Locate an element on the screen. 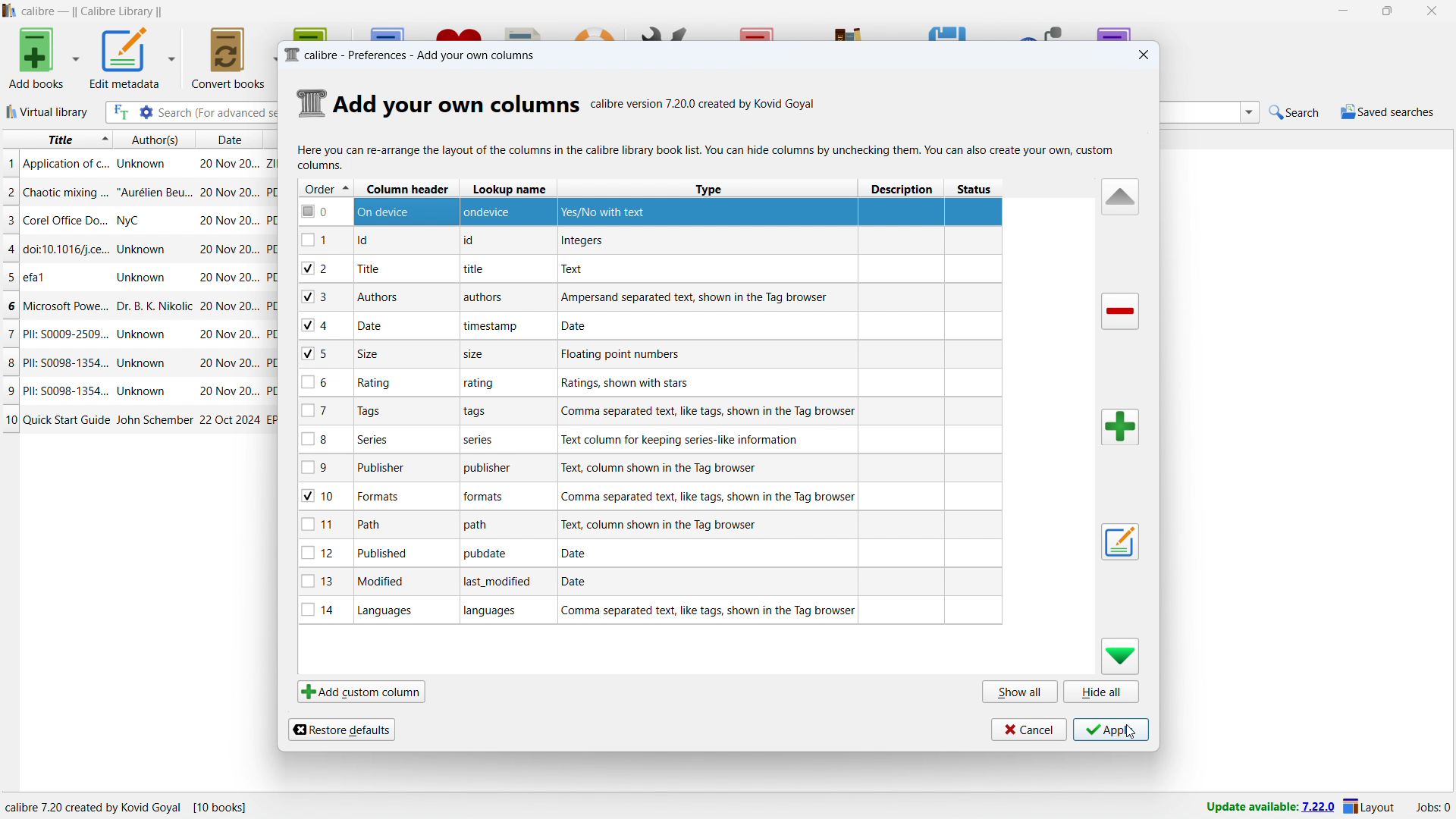 The height and width of the screenshot is (819, 1456). 6 is located at coordinates (9, 306).